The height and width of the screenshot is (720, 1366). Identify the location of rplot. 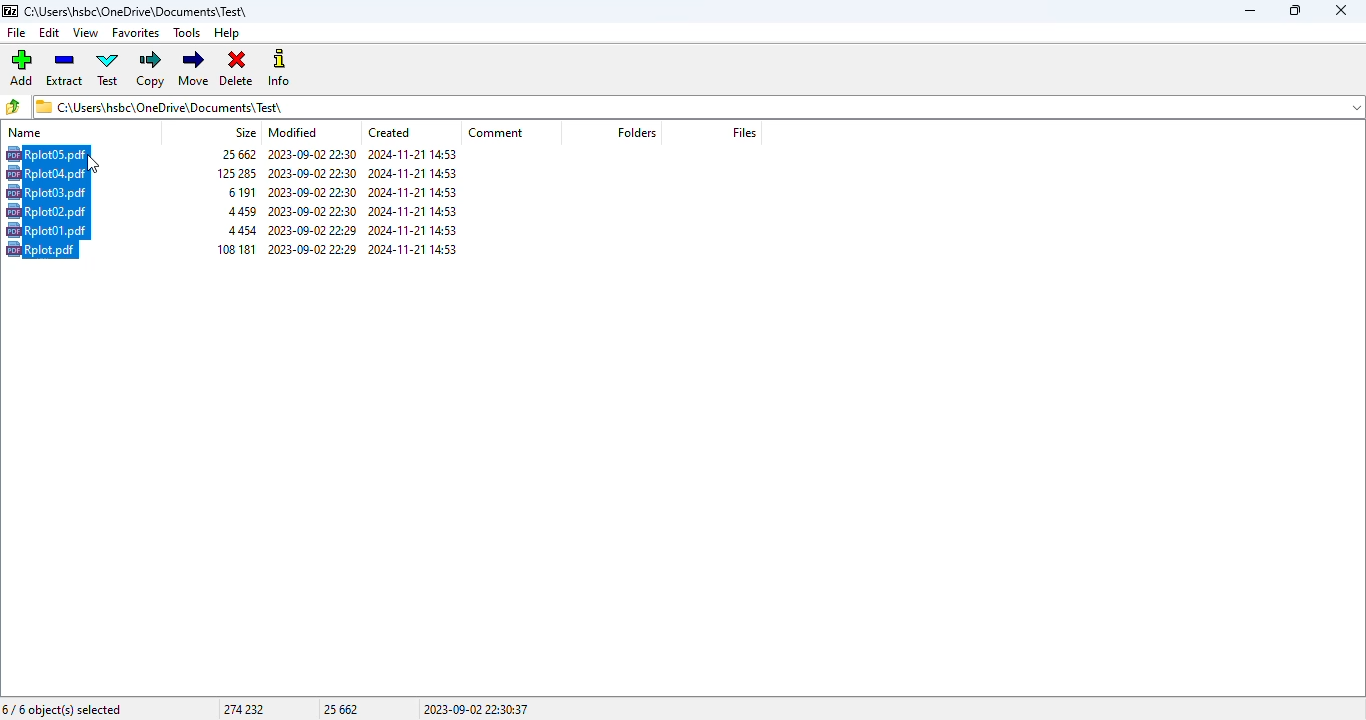
(41, 249).